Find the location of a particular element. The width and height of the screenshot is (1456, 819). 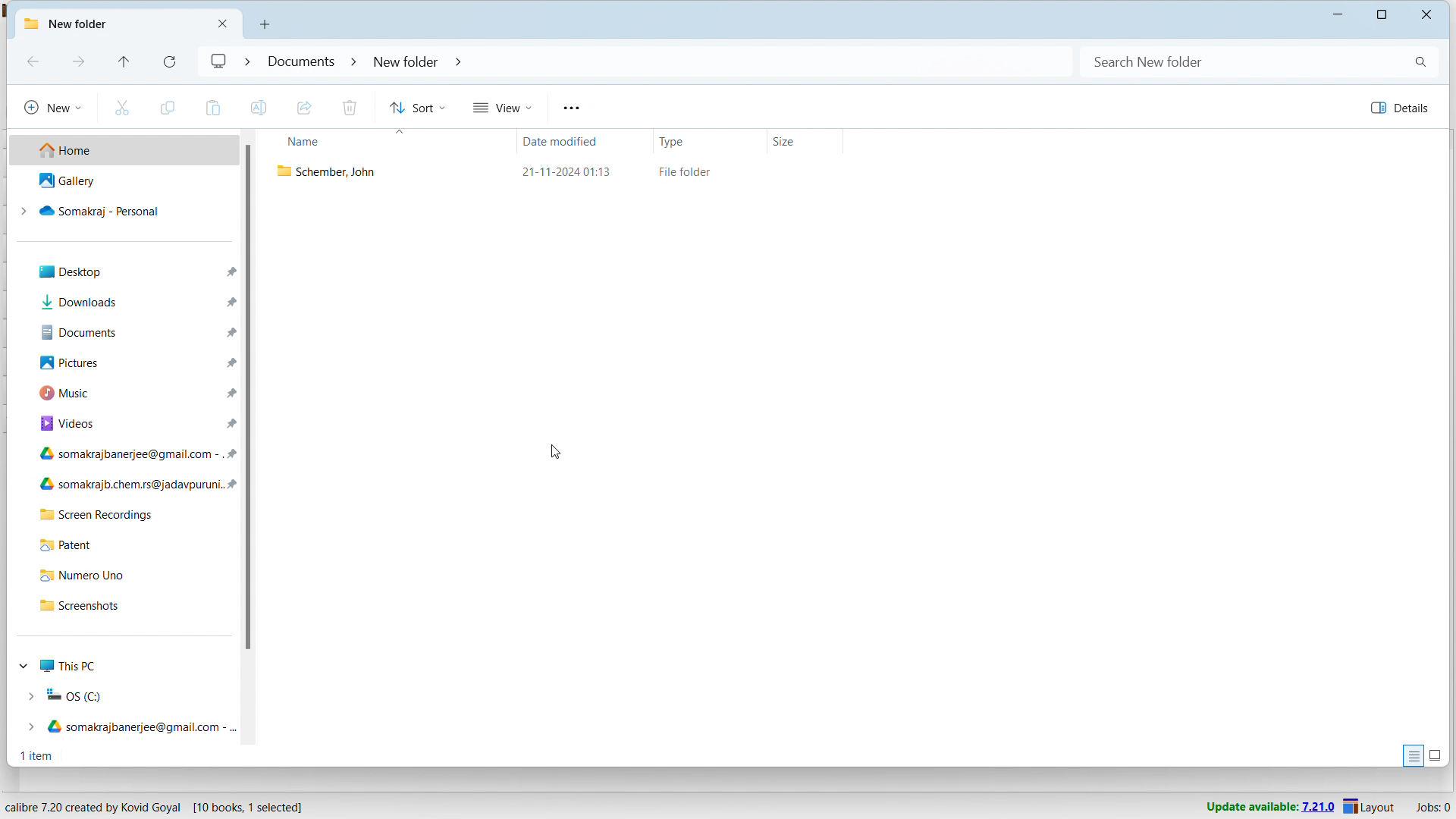

screen recordings is located at coordinates (108, 511).